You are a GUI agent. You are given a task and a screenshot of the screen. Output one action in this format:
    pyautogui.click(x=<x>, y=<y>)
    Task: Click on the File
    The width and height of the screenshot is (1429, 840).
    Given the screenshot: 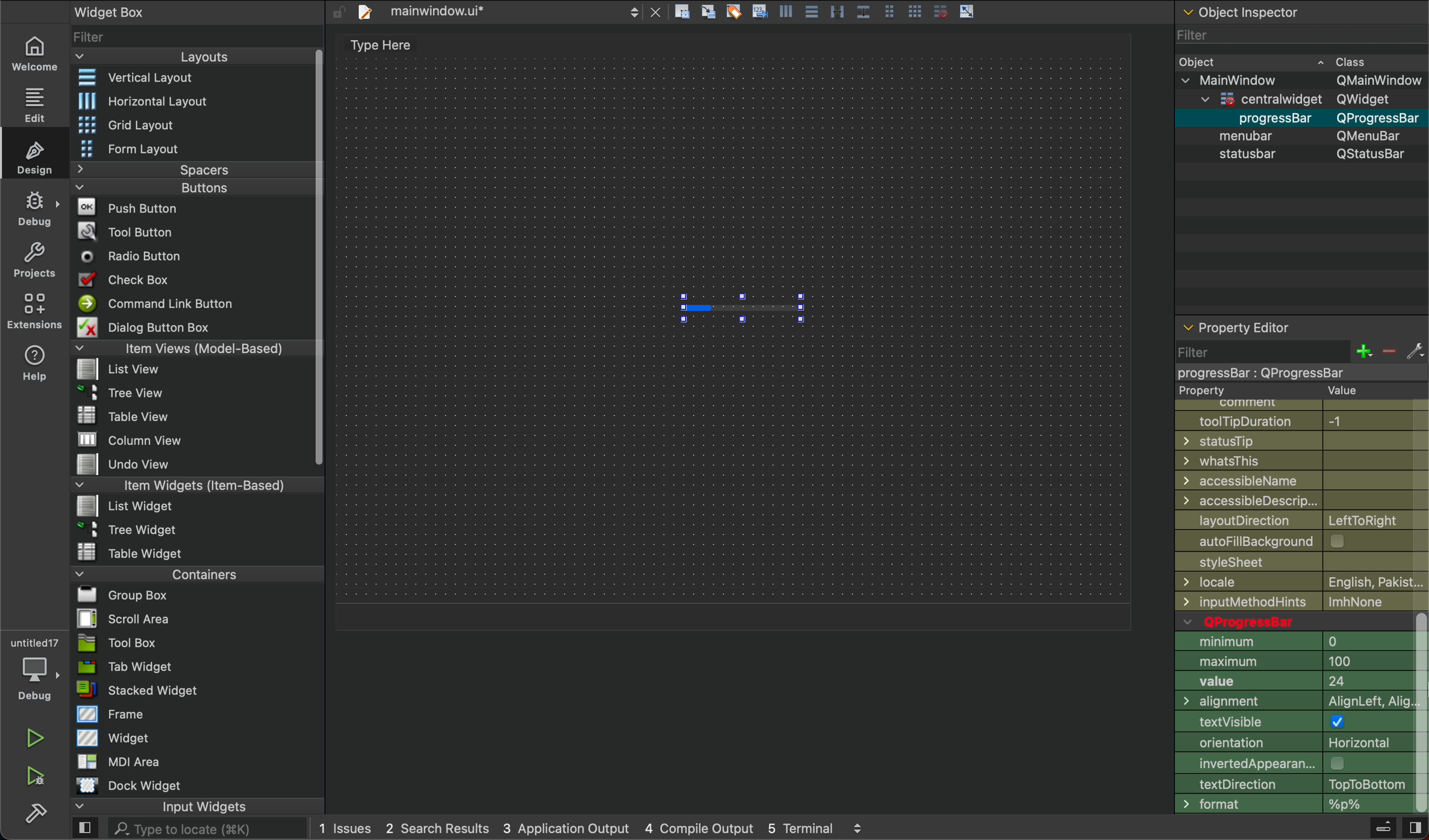 What is the action you would take?
    pyautogui.click(x=131, y=528)
    